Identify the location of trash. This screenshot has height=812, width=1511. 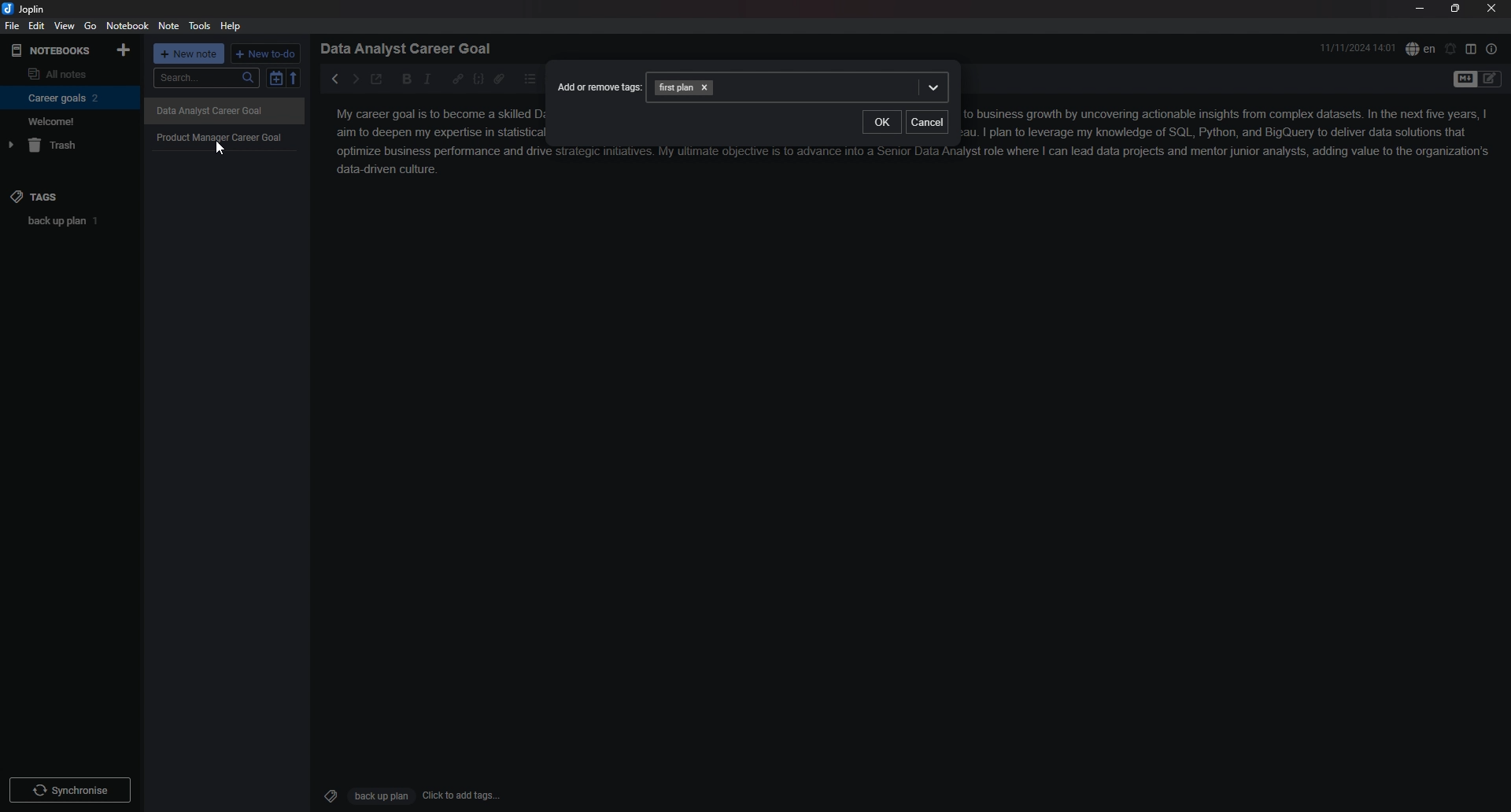
(68, 145).